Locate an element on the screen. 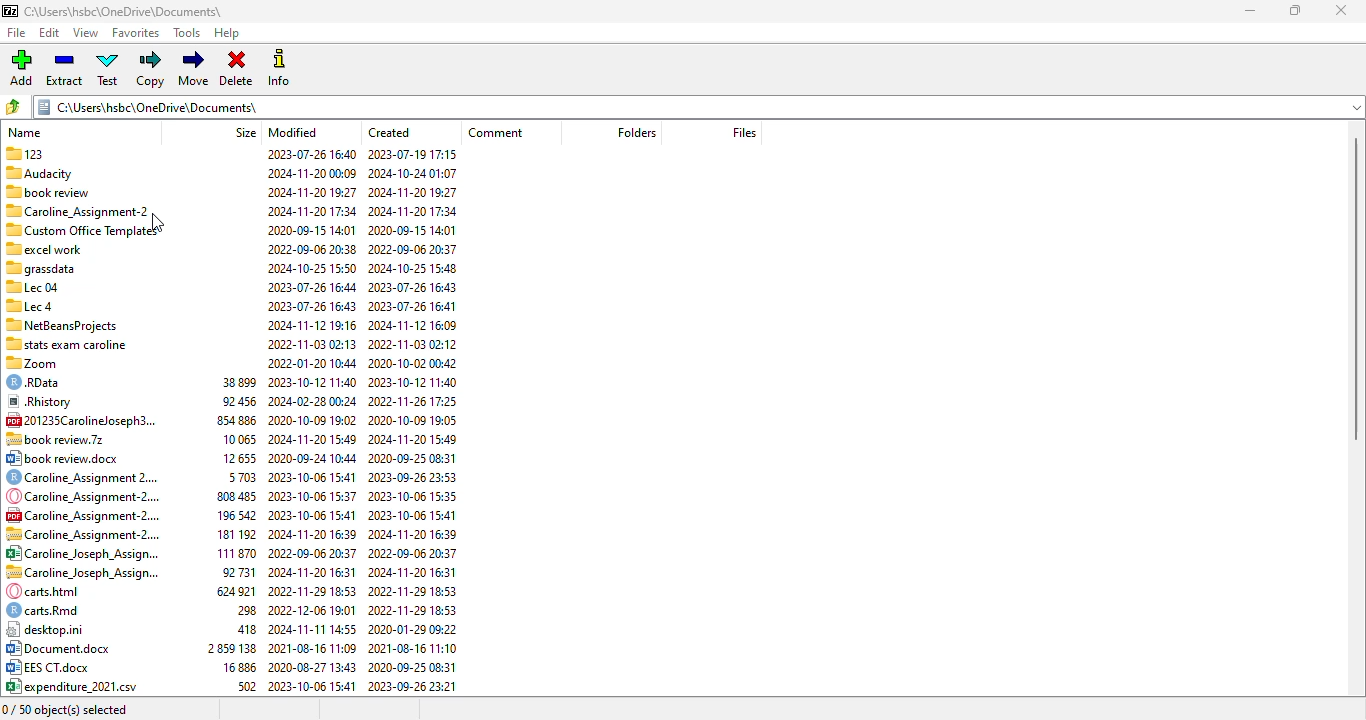 The height and width of the screenshot is (720, 1366). 298 is located at coordinates (239, 610).